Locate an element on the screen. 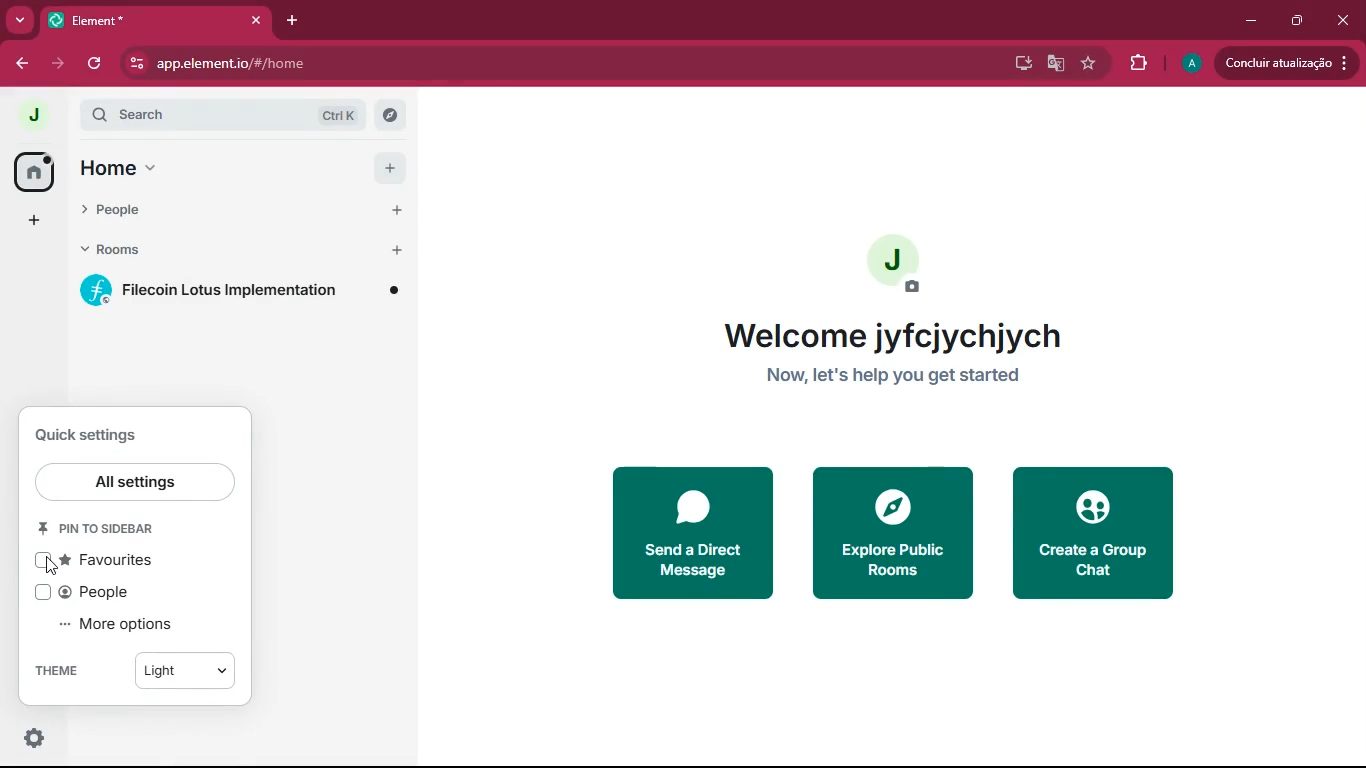  home is located at coordinates (107, 171).